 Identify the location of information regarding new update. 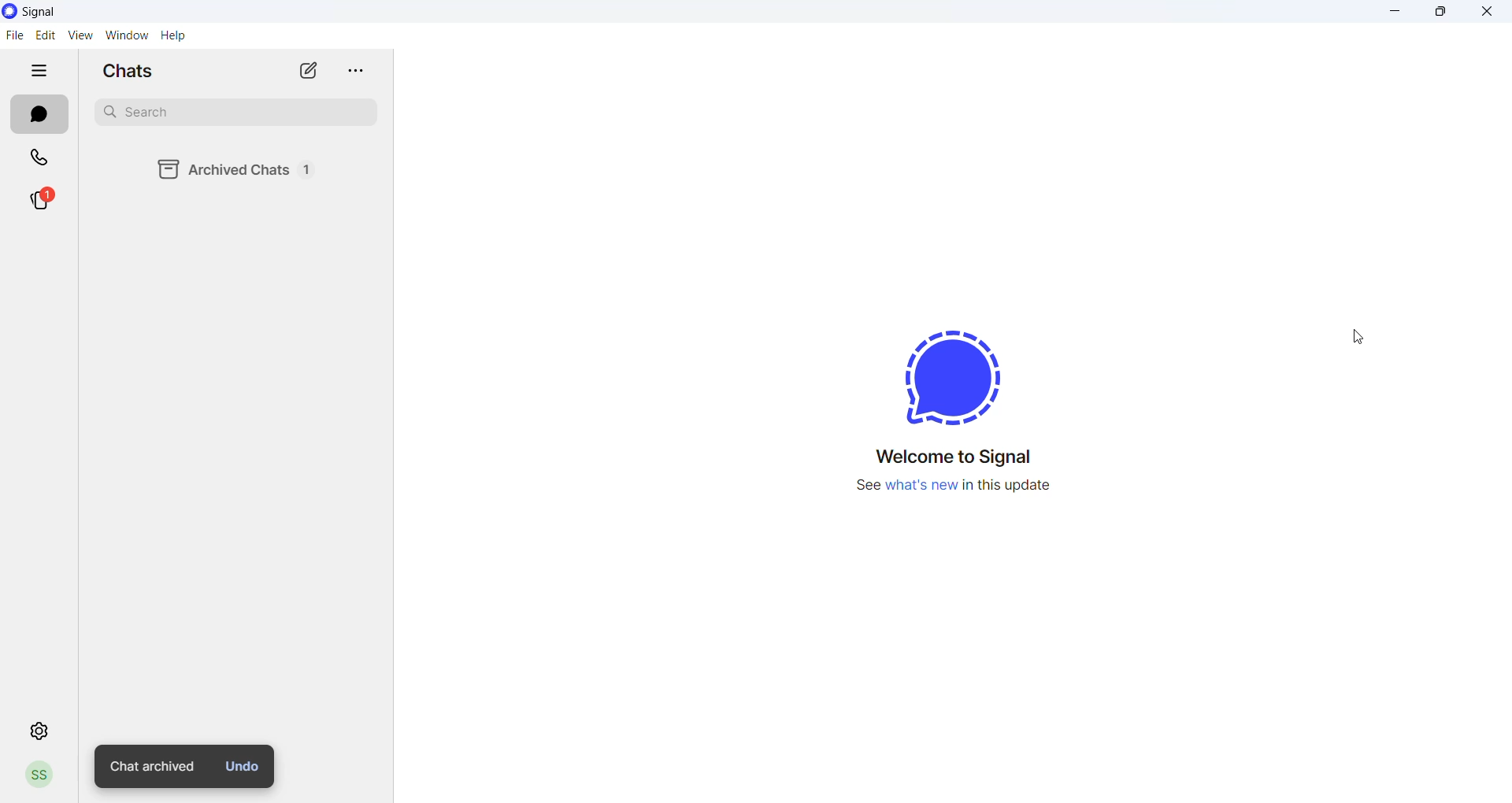
(958, 489).